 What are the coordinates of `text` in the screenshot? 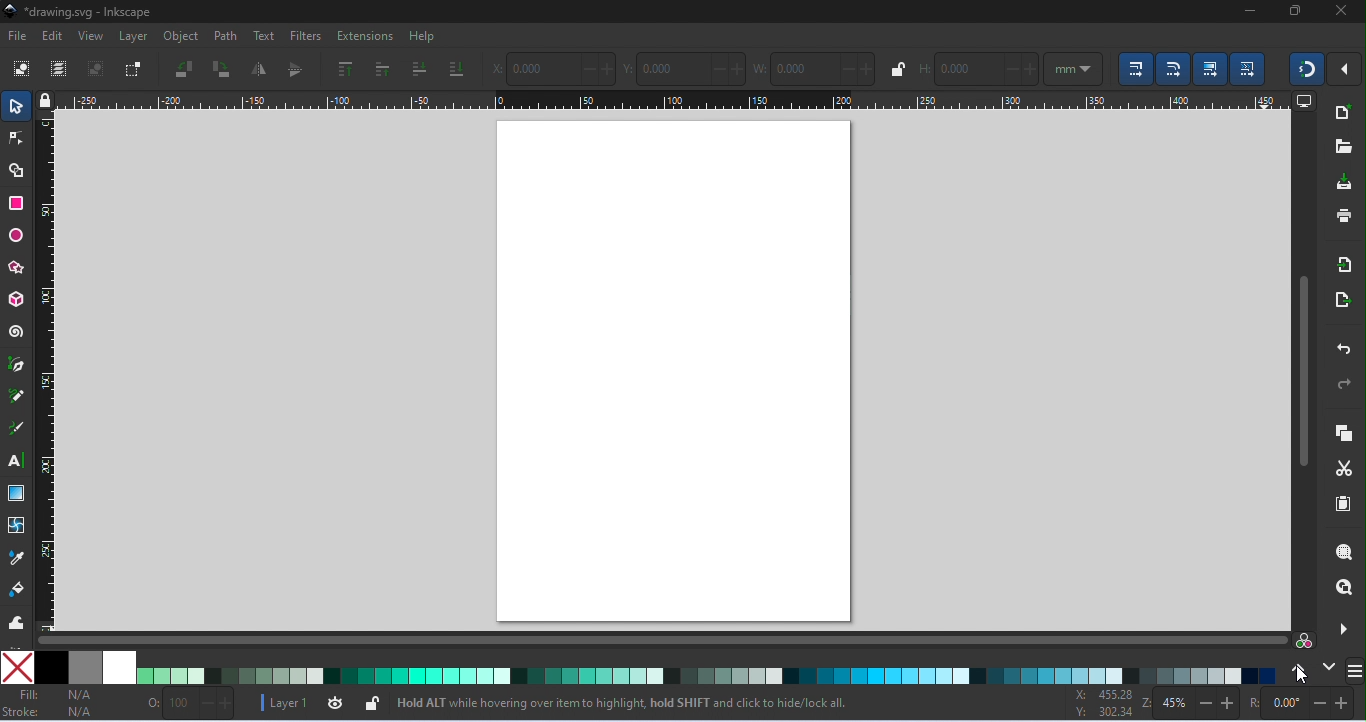 It's located at (19, 463).